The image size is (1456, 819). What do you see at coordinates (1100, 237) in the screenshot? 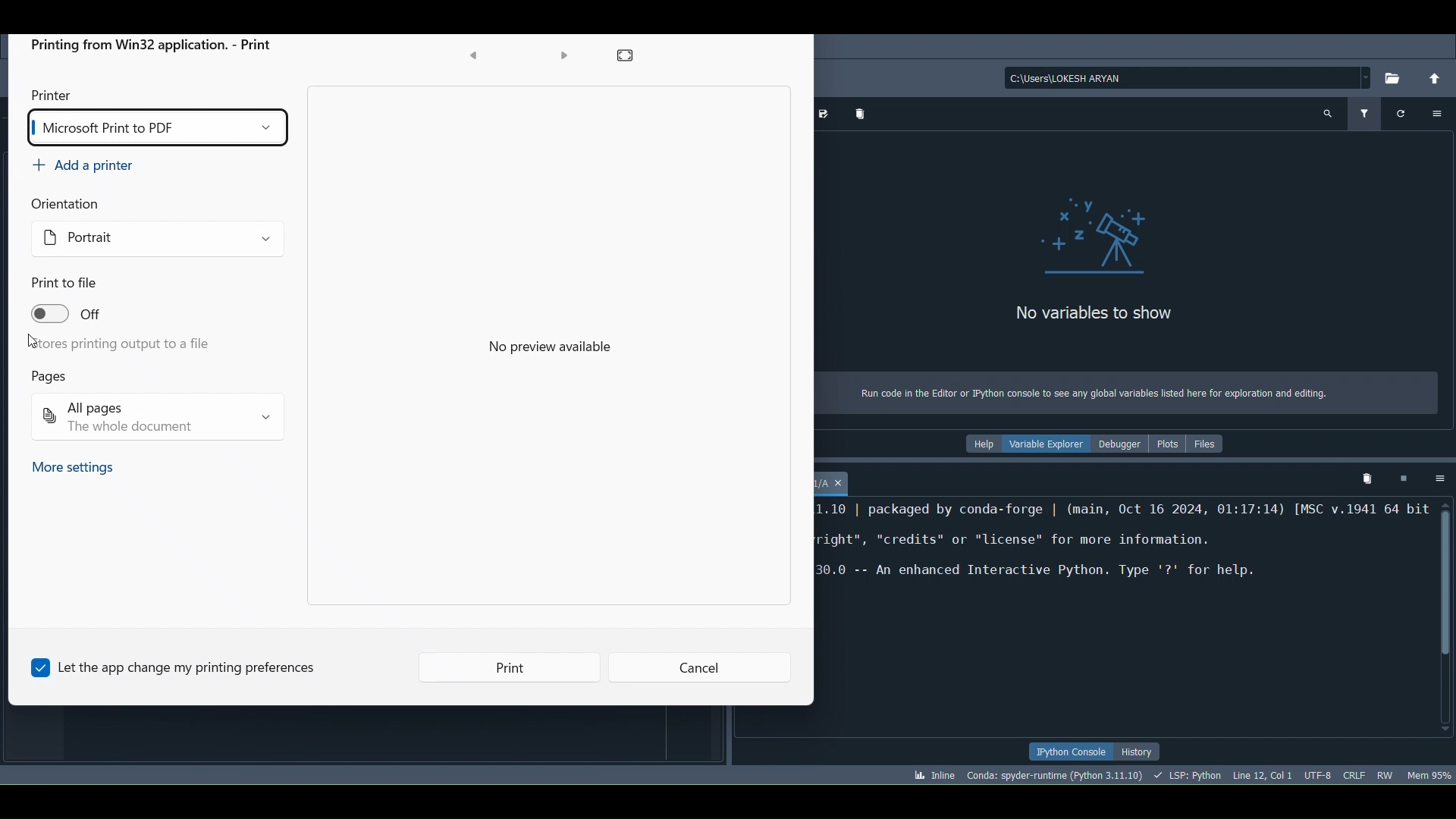
I see `icon` at bounding box center [1100, 237].